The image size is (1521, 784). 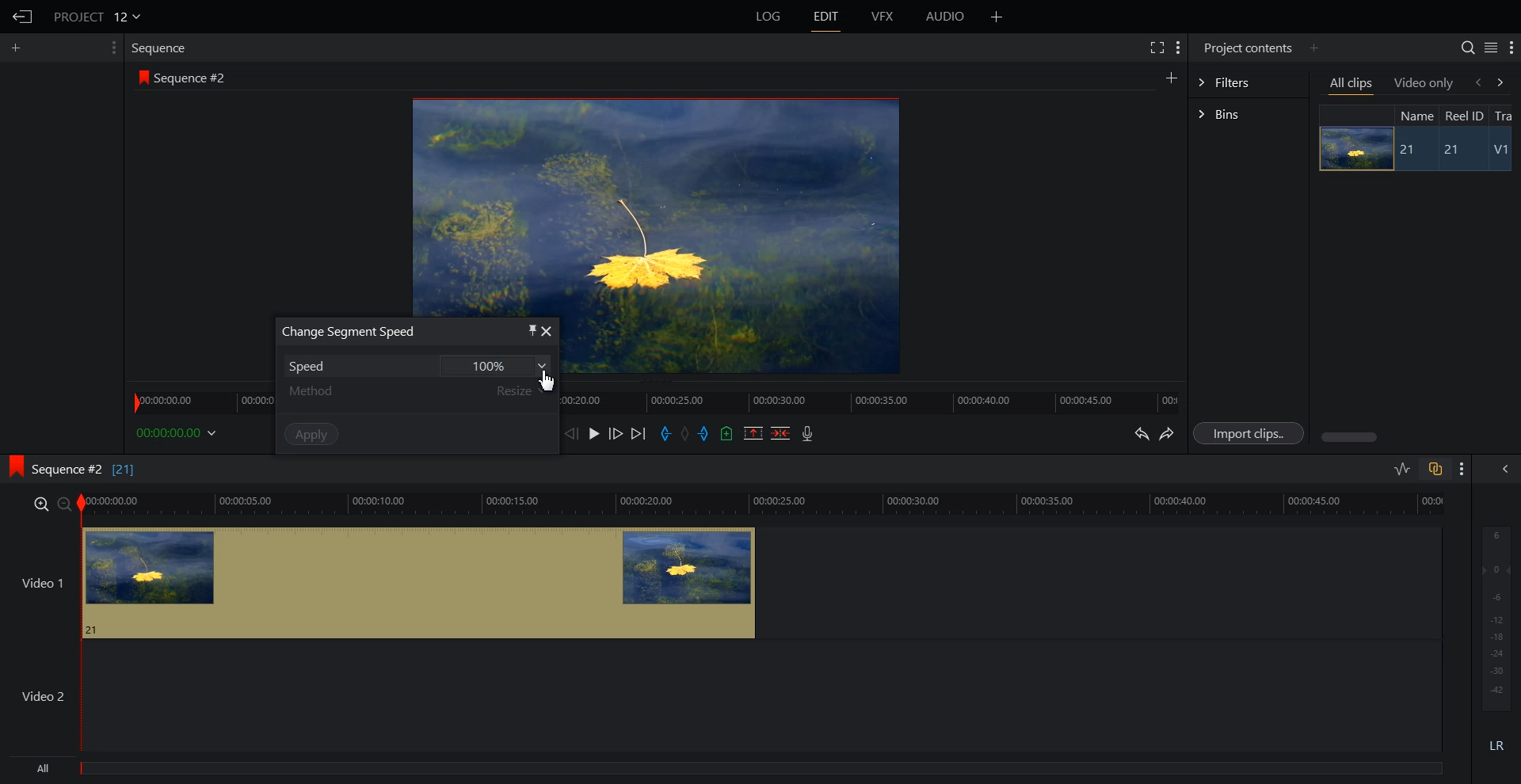 What do you see at coordinates (781, 433) in the screenshot?
I see `Delete` at bounding box center [781, 433].